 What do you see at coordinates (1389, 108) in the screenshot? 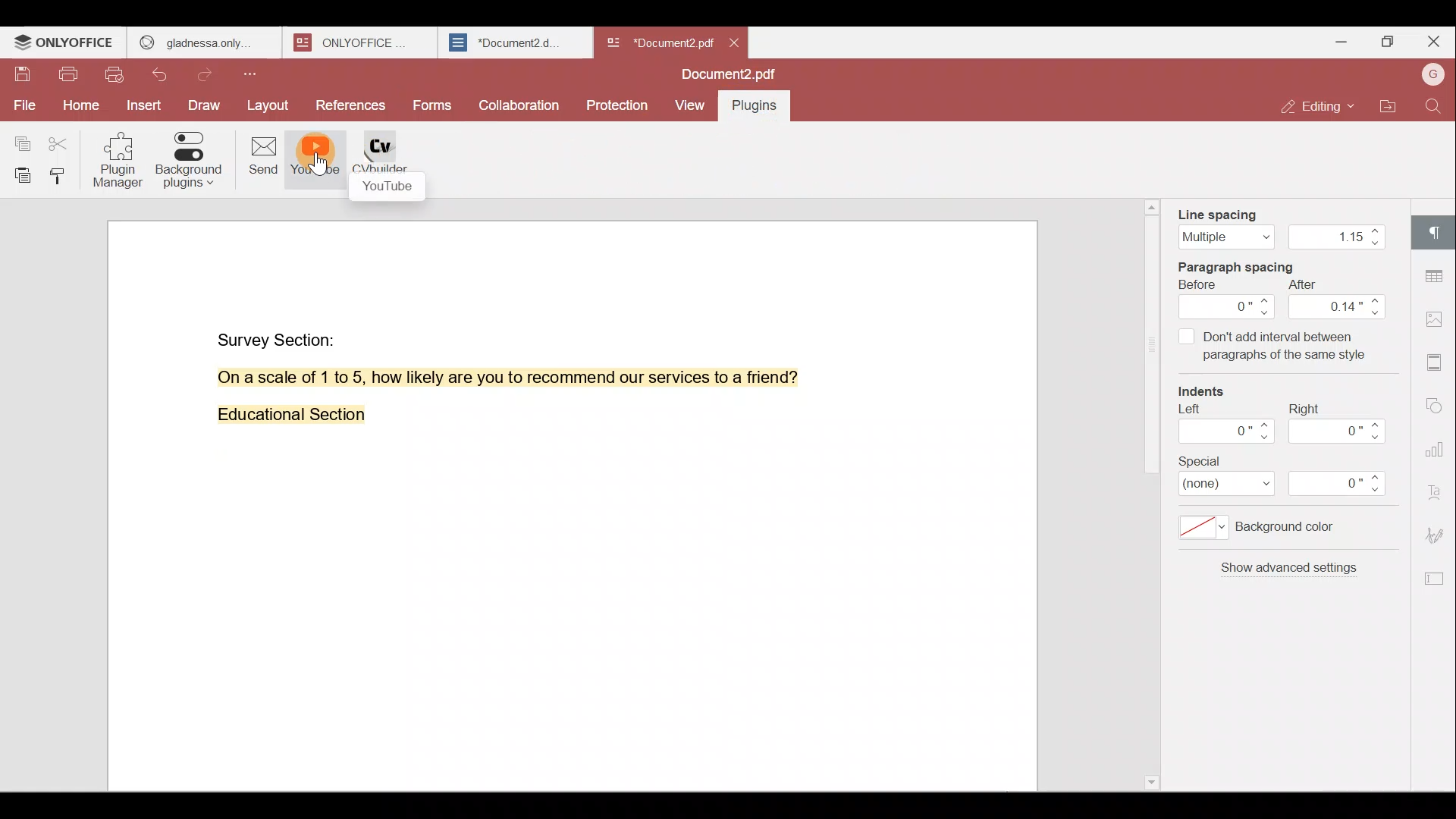
I see `Open file location` at bounding box center [1389, 108].